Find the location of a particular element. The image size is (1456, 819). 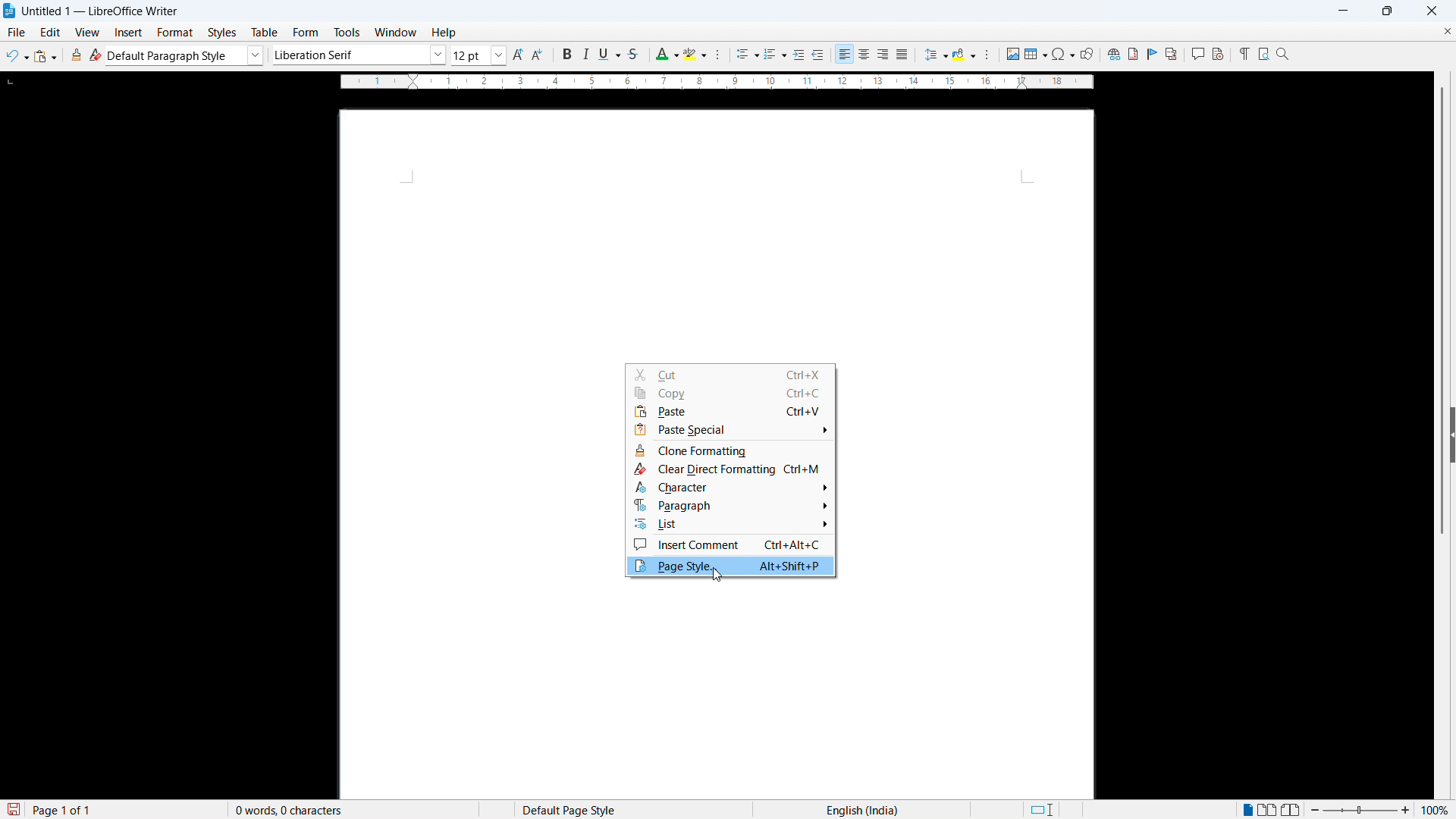

cut  is located at coordinates (729, 374).